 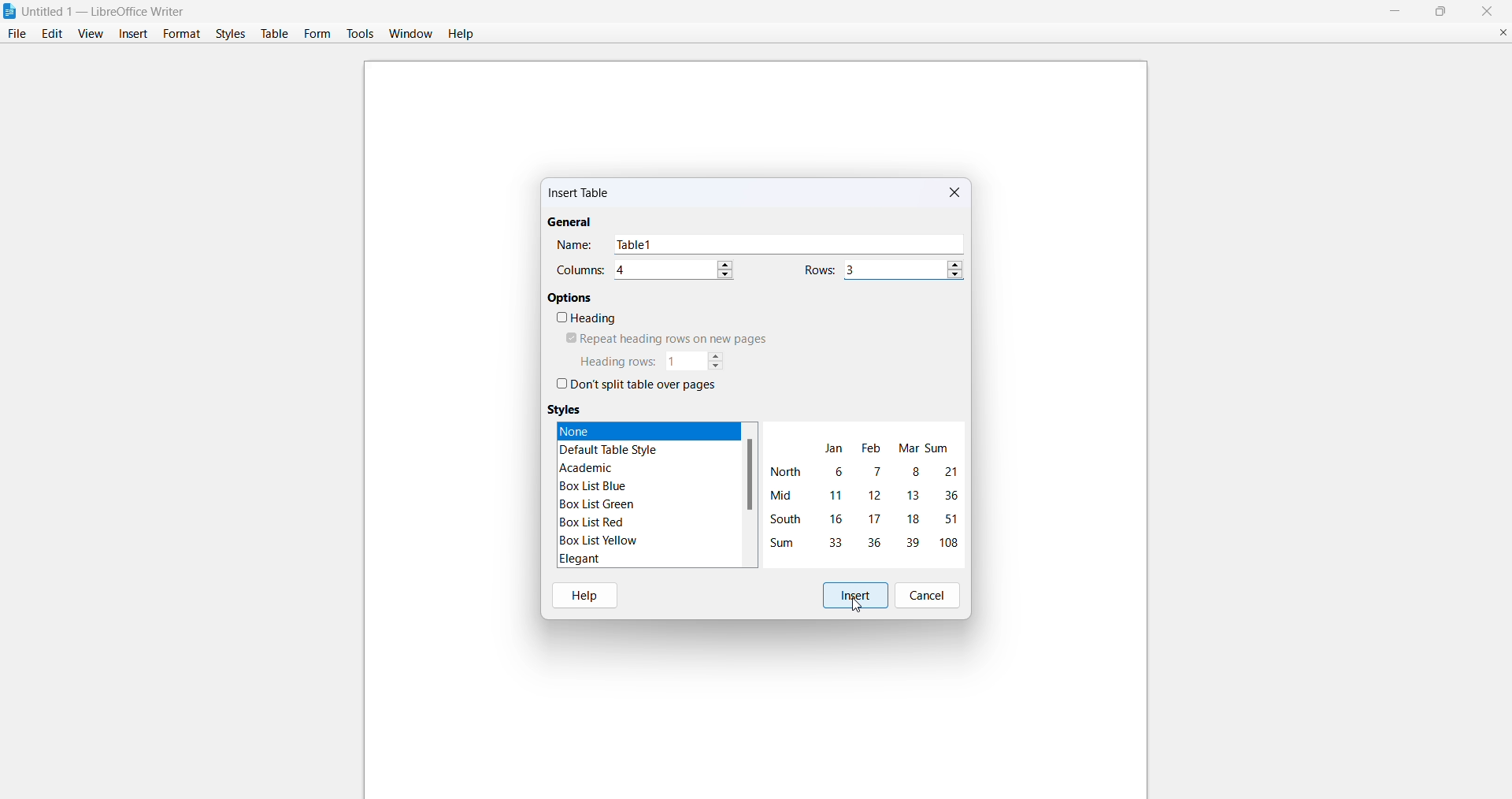 I want to click on form, so click(x=317, y=33).